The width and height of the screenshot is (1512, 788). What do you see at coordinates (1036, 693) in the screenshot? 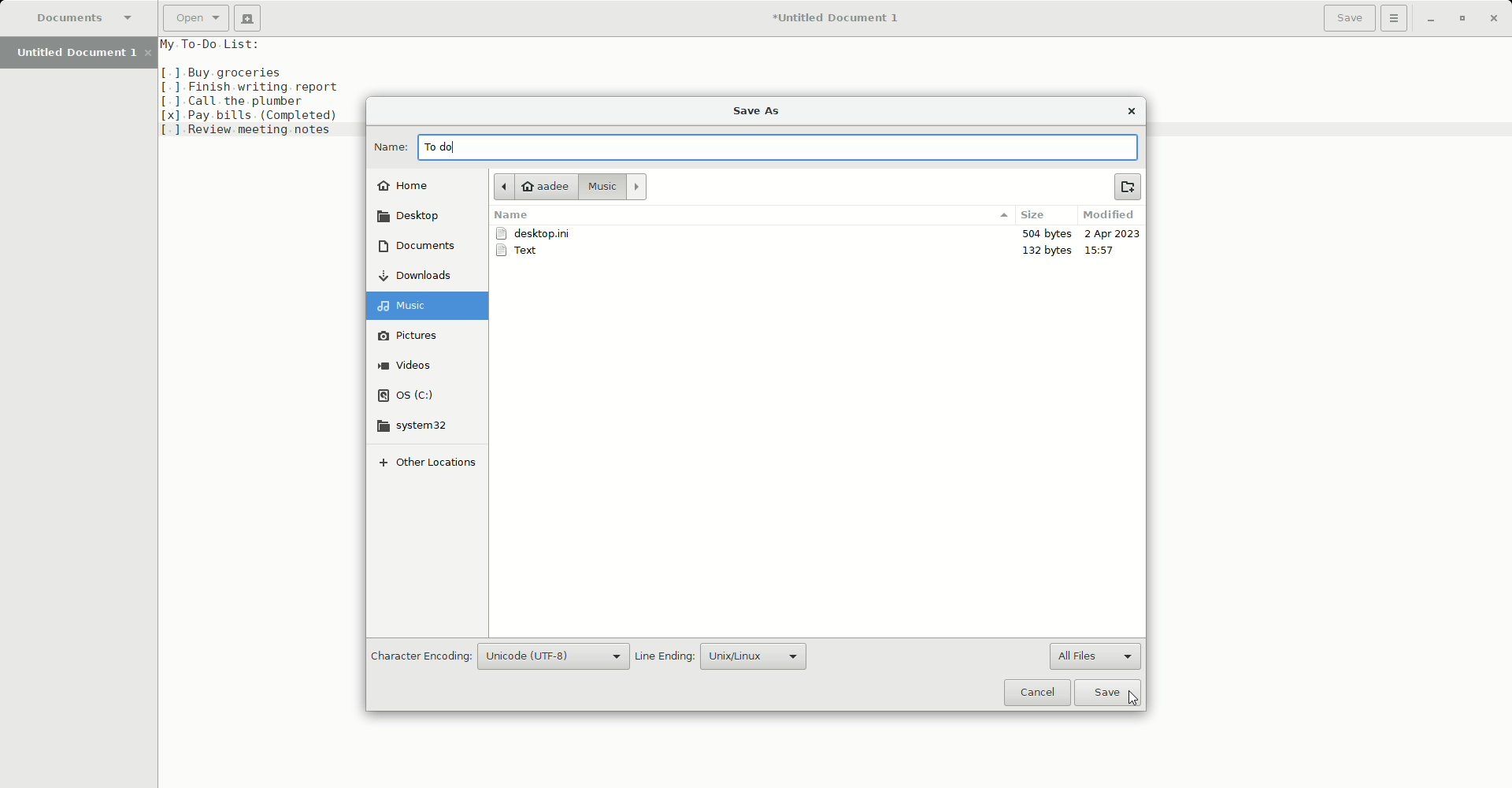
I see `Cancel` at bounding box center [1036, 693].